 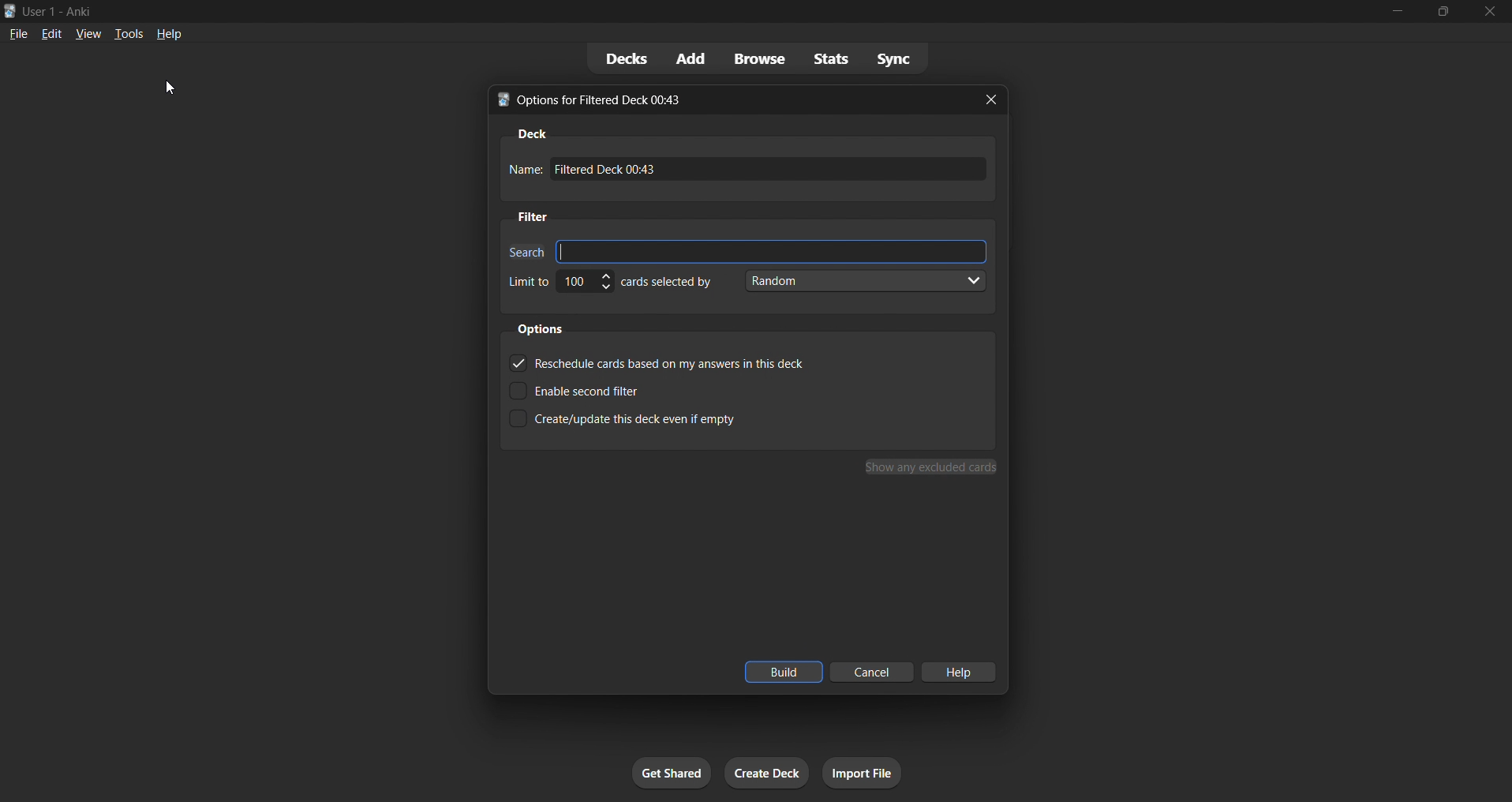 What do you see at coordinates (994, 101) in the screenshot?
I see `close` at bounding box center [994, 101].